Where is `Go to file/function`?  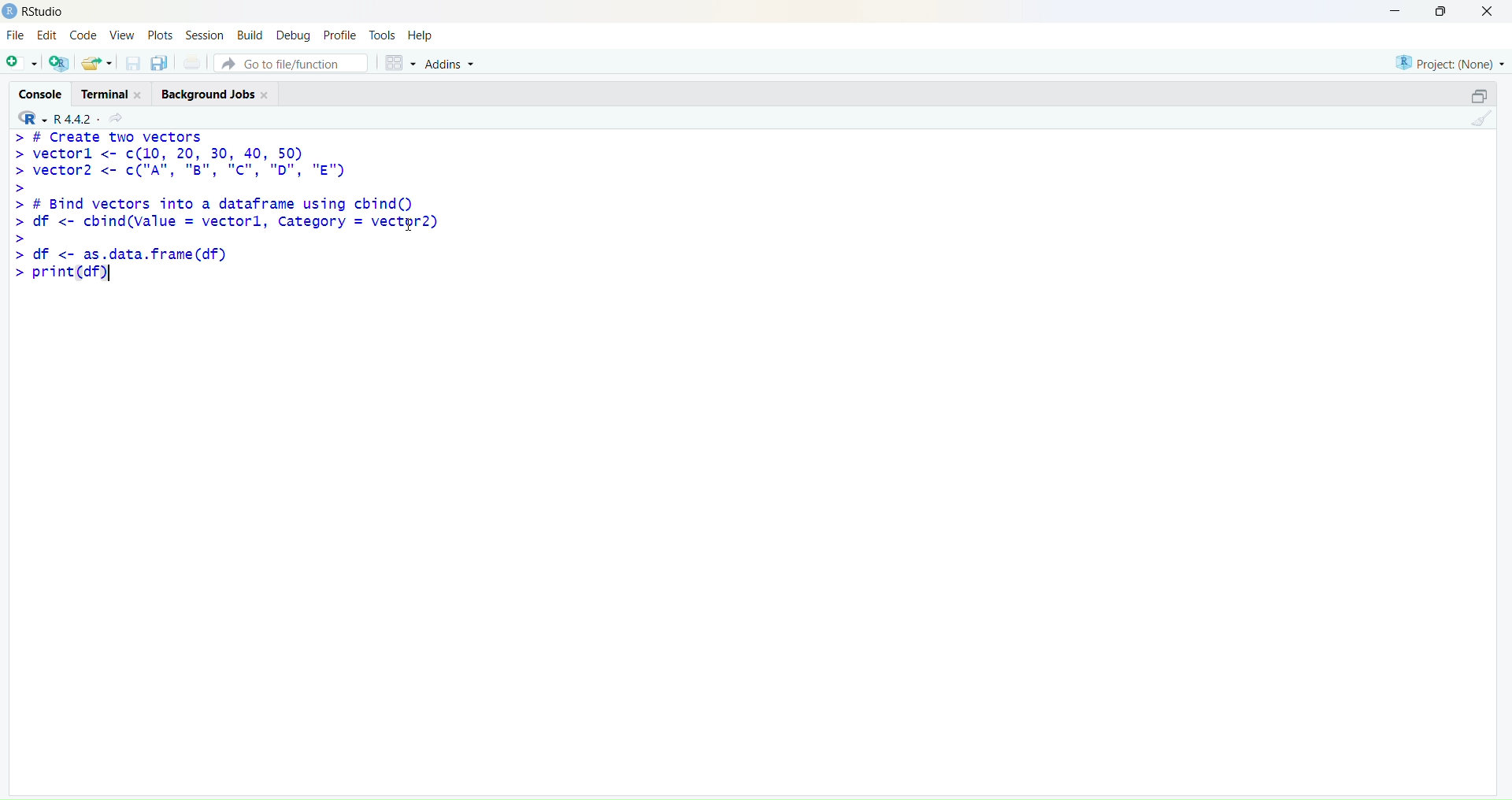 Go to file/function is located at coordinates (291, 63).